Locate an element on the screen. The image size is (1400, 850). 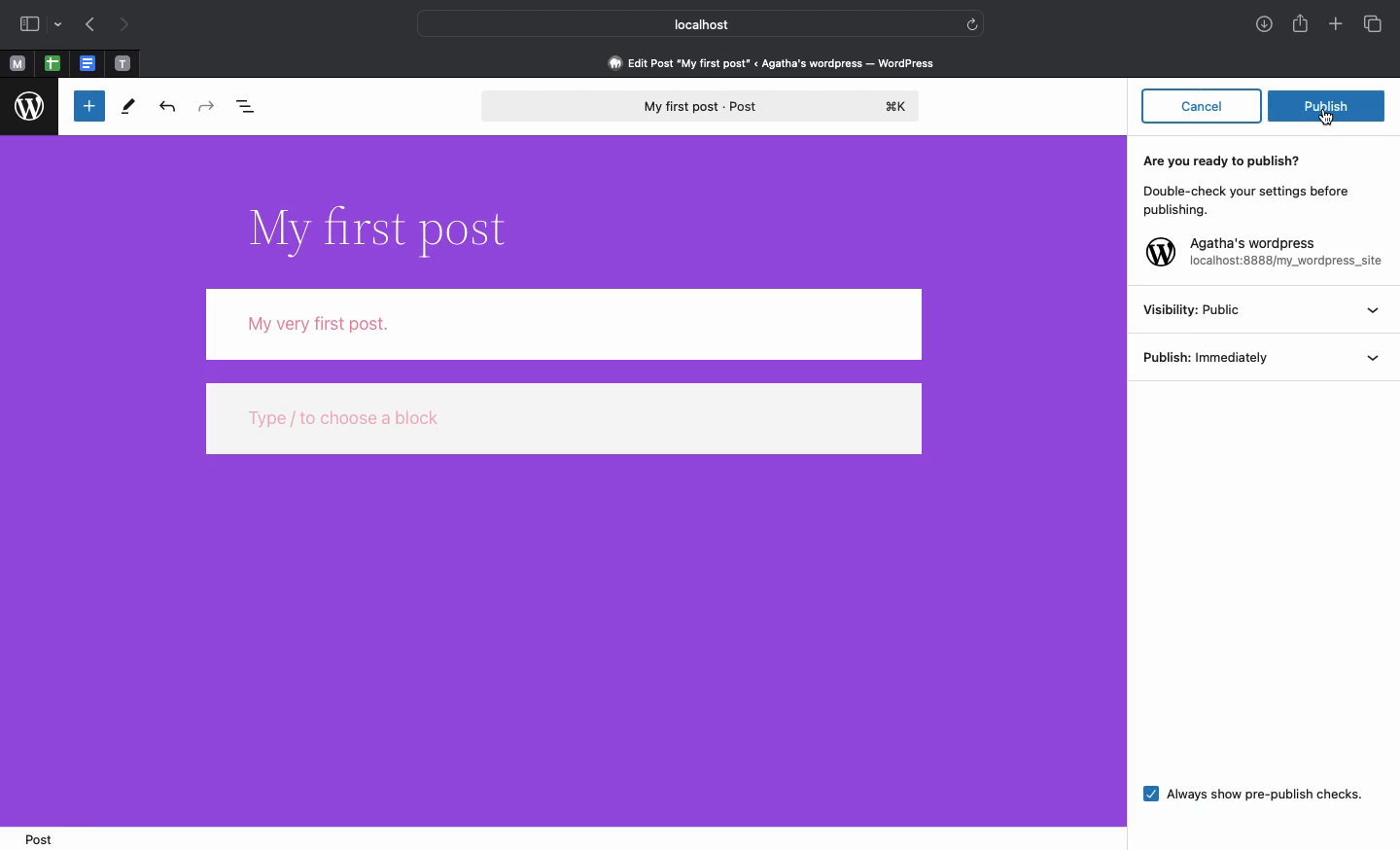
Pinned tabs is located at coordinates (18, 63).